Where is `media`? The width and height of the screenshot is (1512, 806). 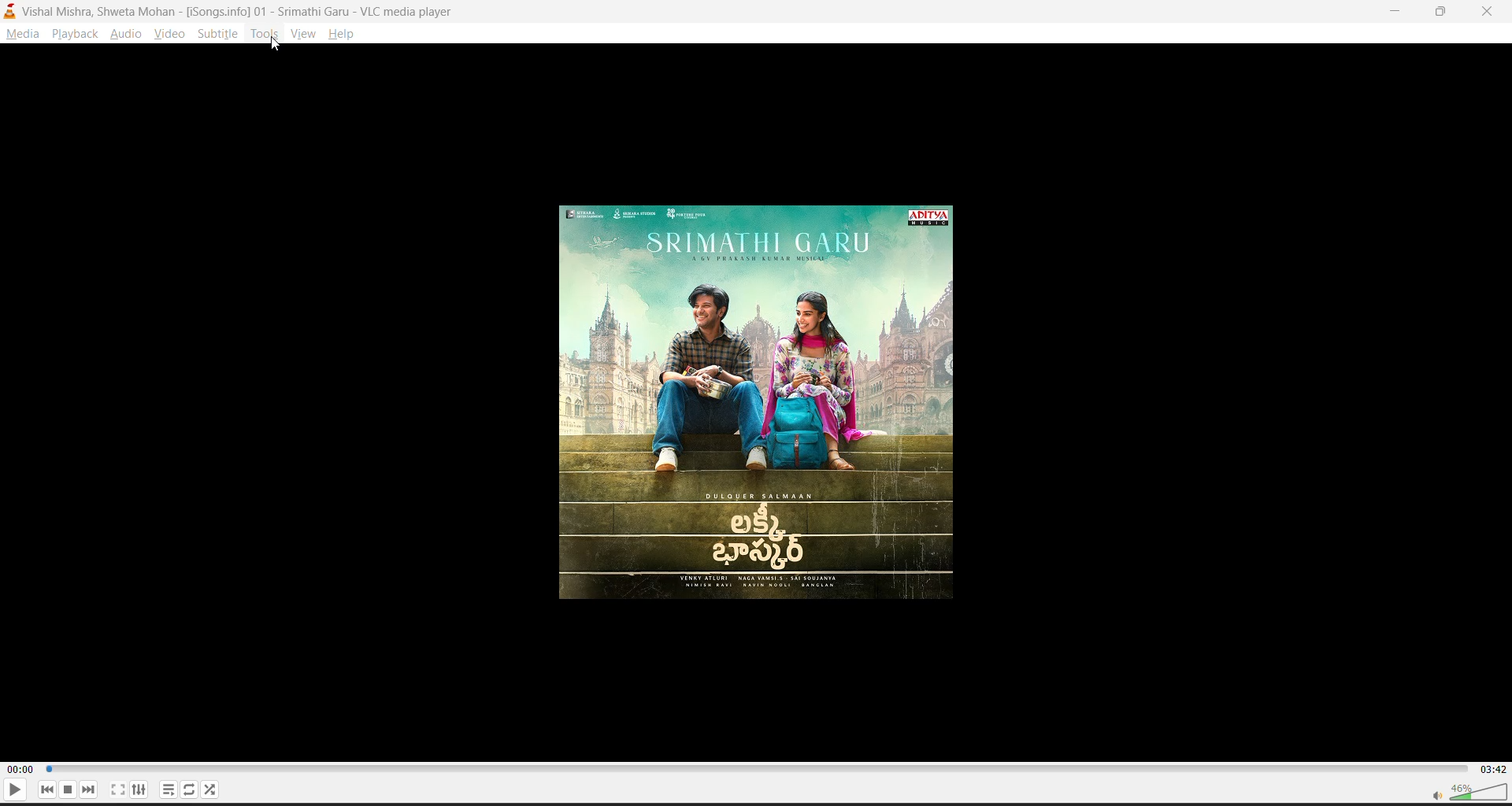
media is located at coordinates (20, 32).